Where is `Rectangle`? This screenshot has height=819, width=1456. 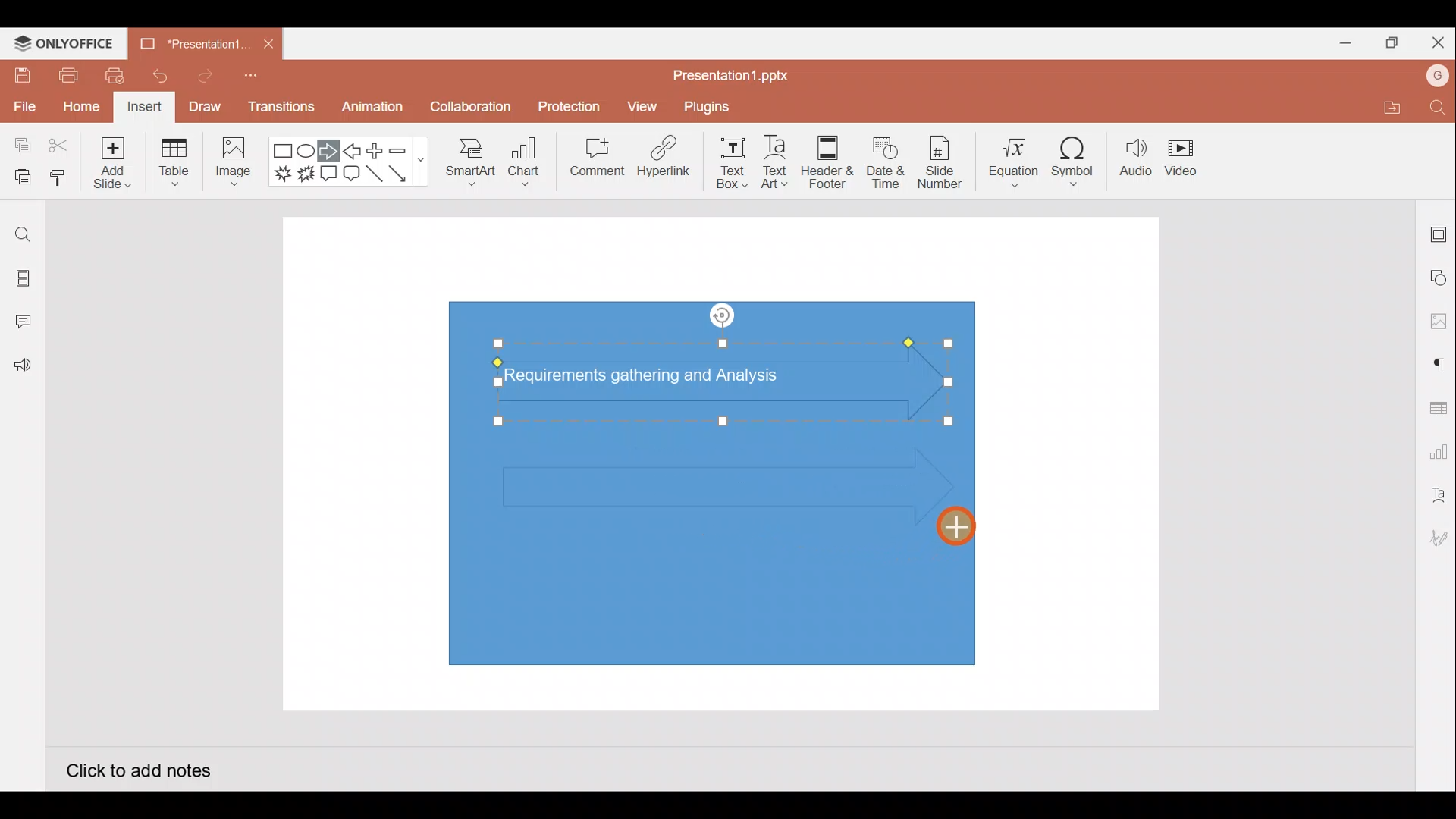
Rectangle is located at coordinates (284, 152).